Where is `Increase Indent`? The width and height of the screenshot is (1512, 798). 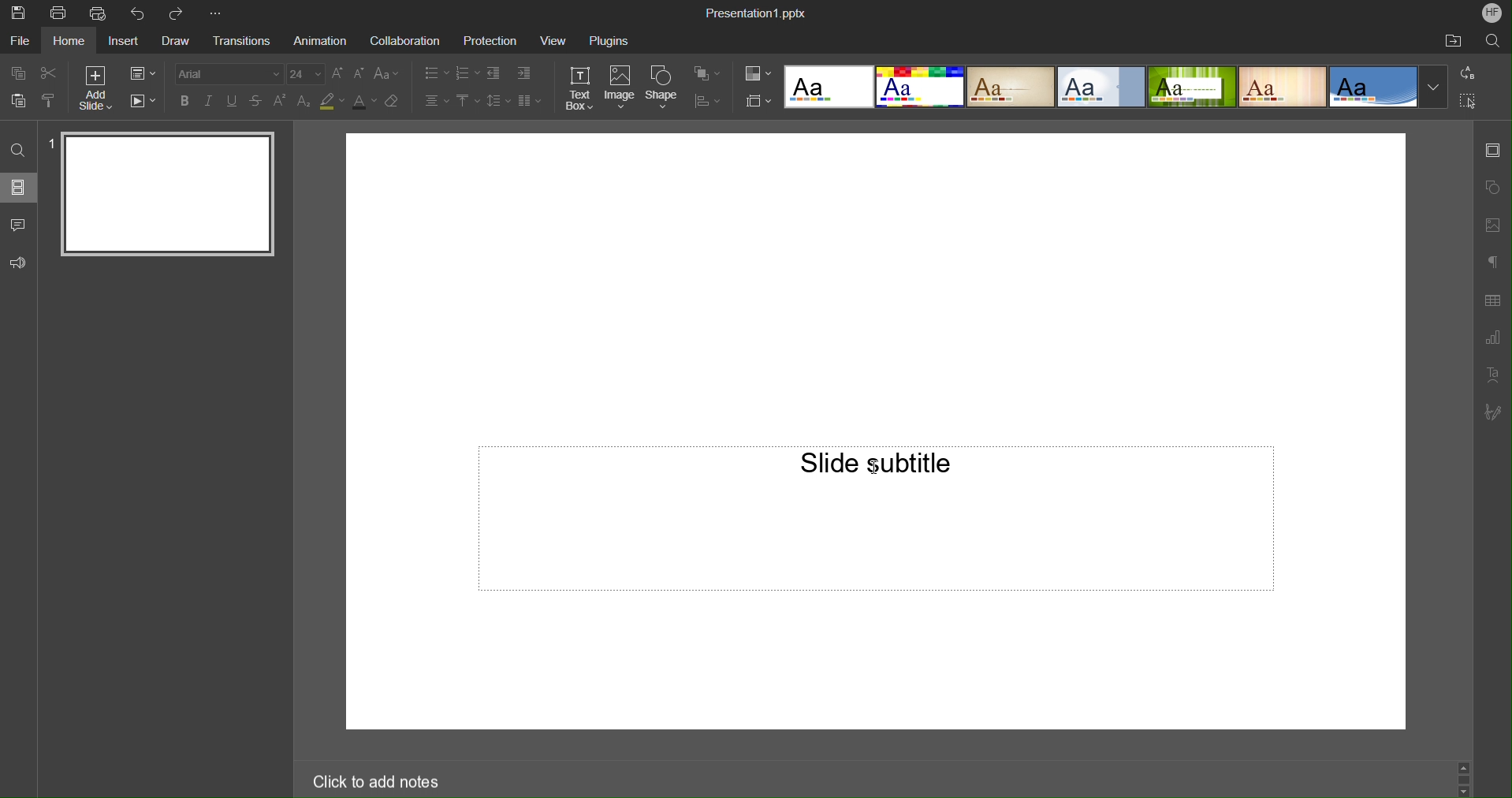 Increase Indent is located at coordinates (493, 73).